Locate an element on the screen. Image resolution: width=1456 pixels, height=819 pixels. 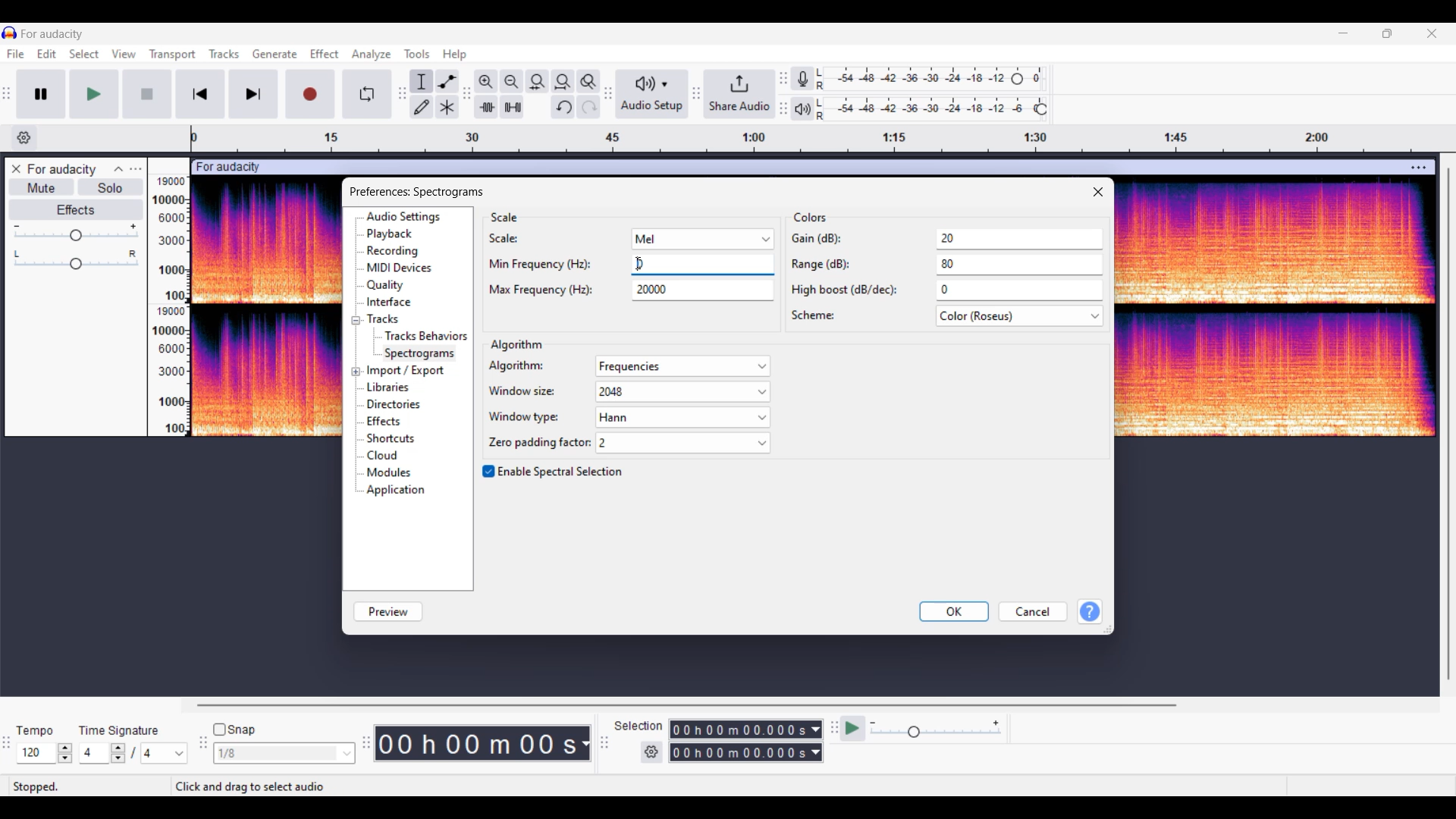
scheme is located at coordinates (946, 318).